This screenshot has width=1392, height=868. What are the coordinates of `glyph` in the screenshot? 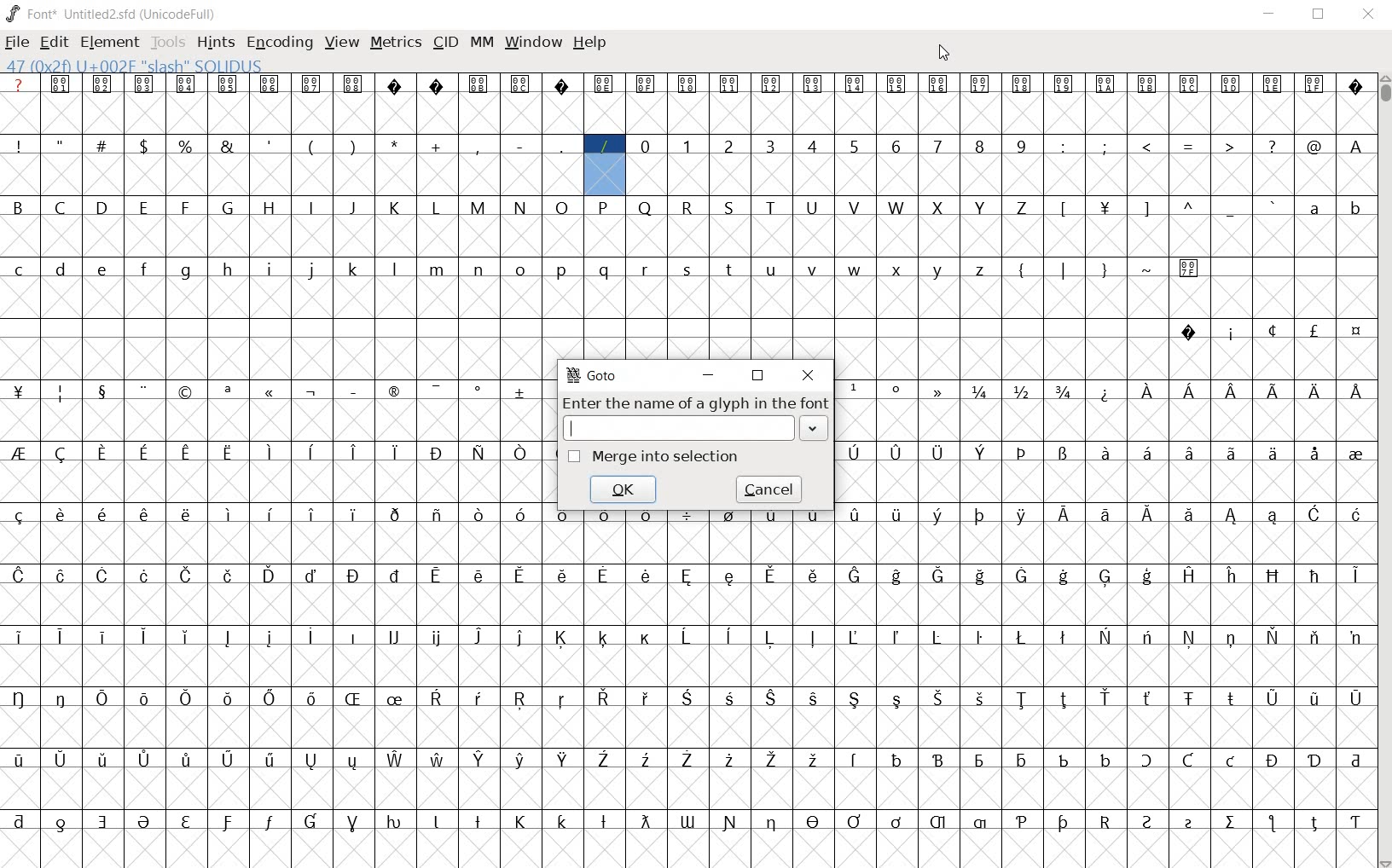 It's located at (476, 147).